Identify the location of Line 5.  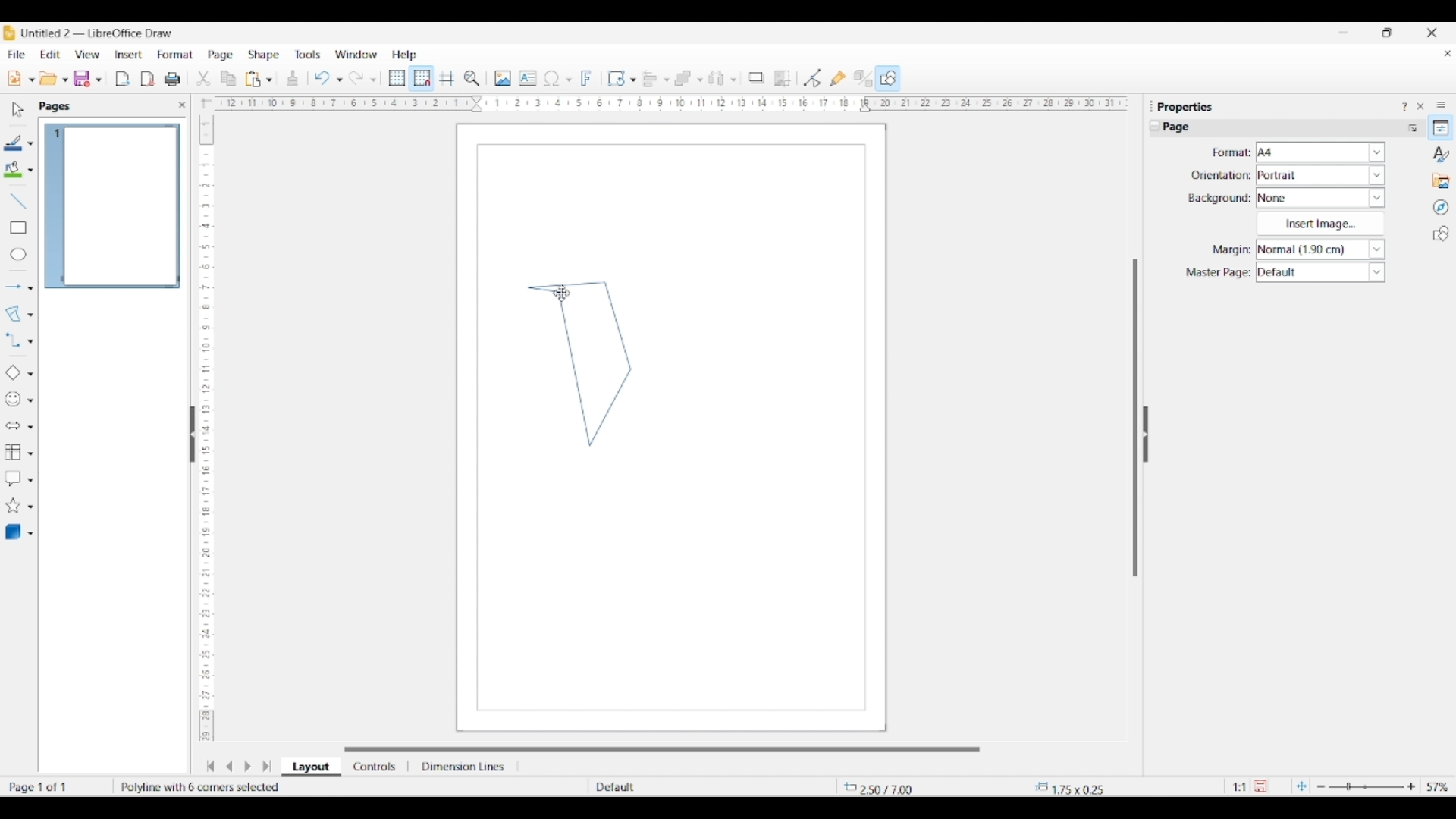
(544, 291).